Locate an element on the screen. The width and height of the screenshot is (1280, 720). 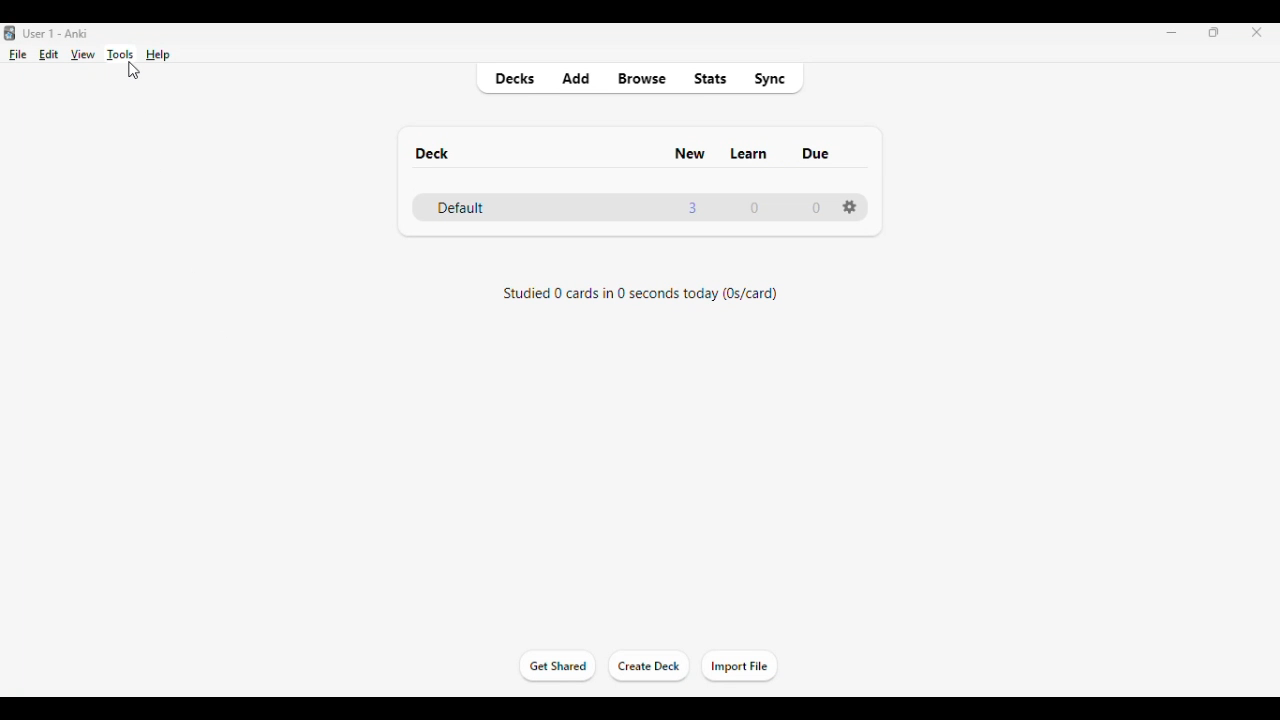
browse is located at coordinates (642, 78).